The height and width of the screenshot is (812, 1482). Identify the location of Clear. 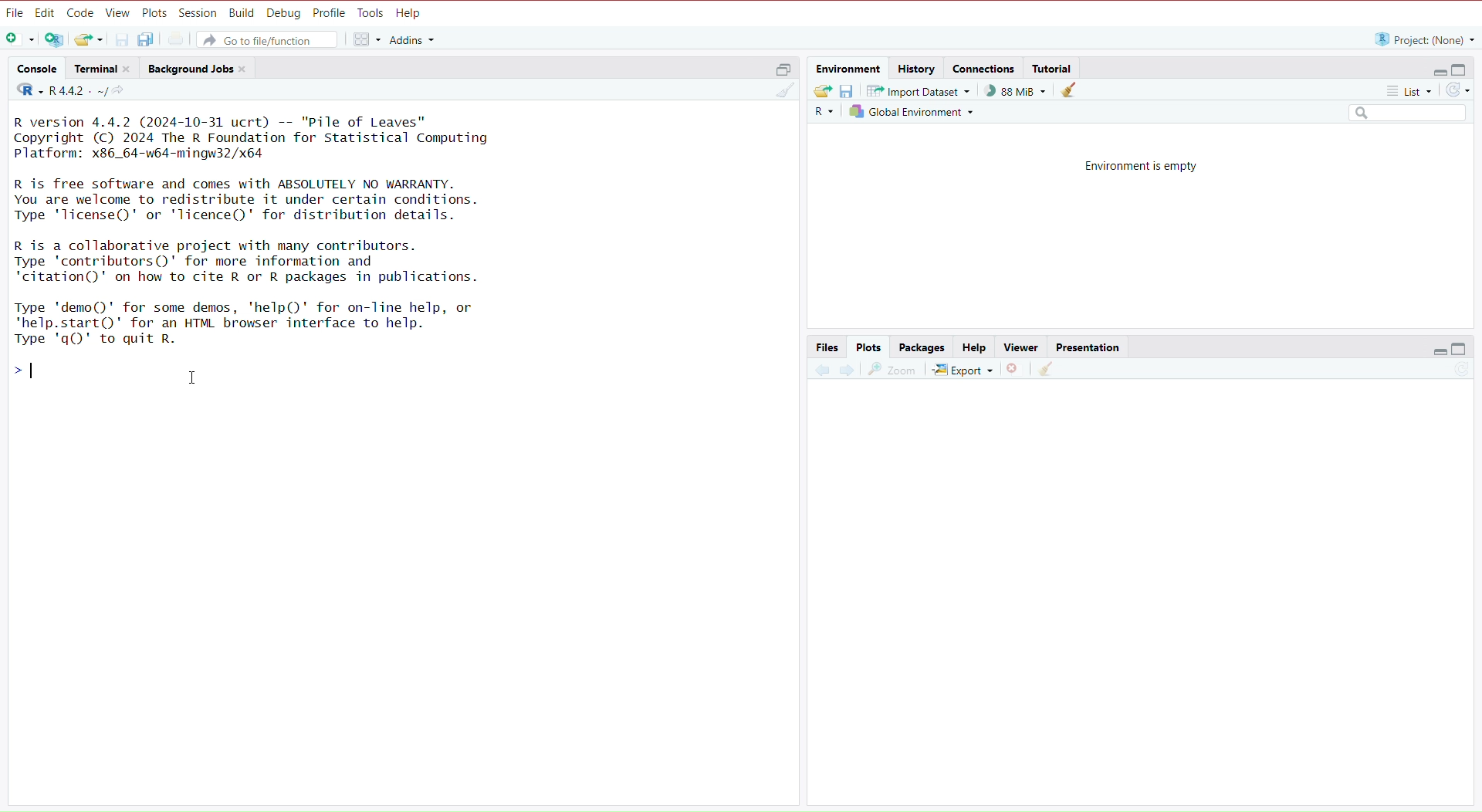
(783, 90).